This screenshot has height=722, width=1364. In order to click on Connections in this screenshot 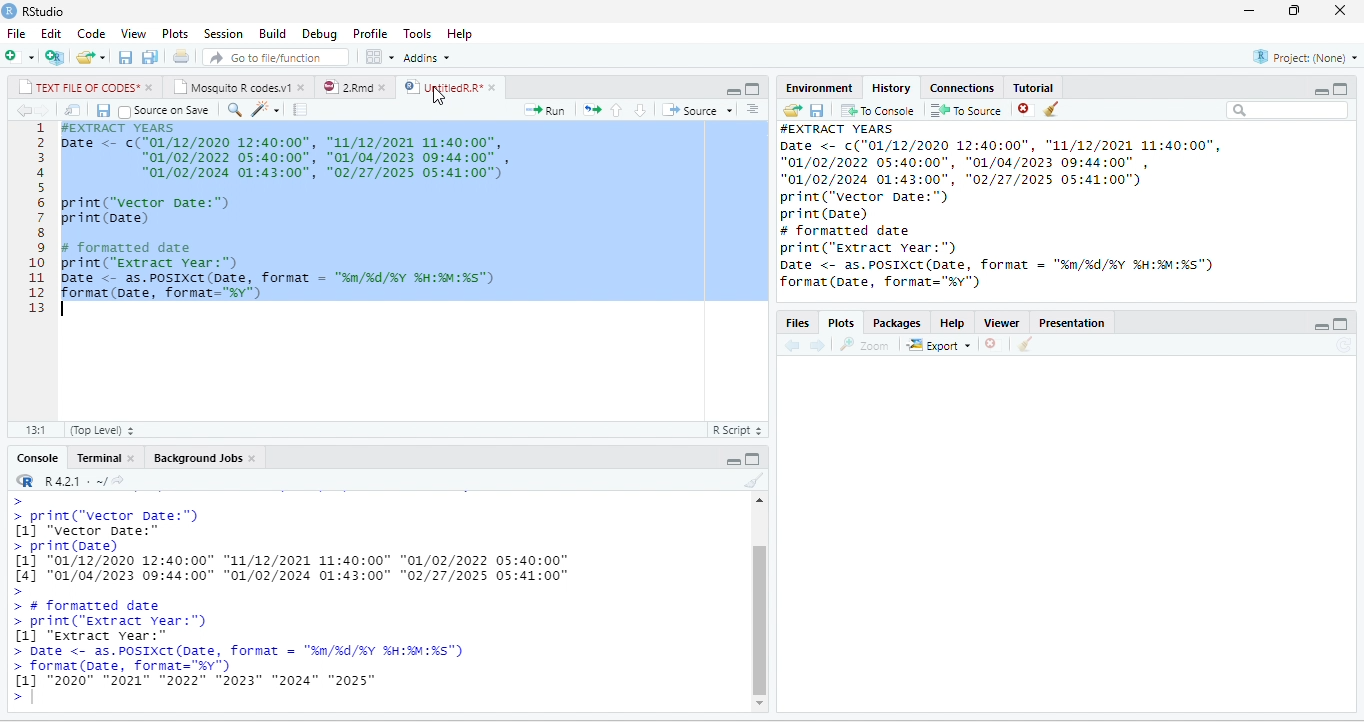, I will do `click(963, 89)`.